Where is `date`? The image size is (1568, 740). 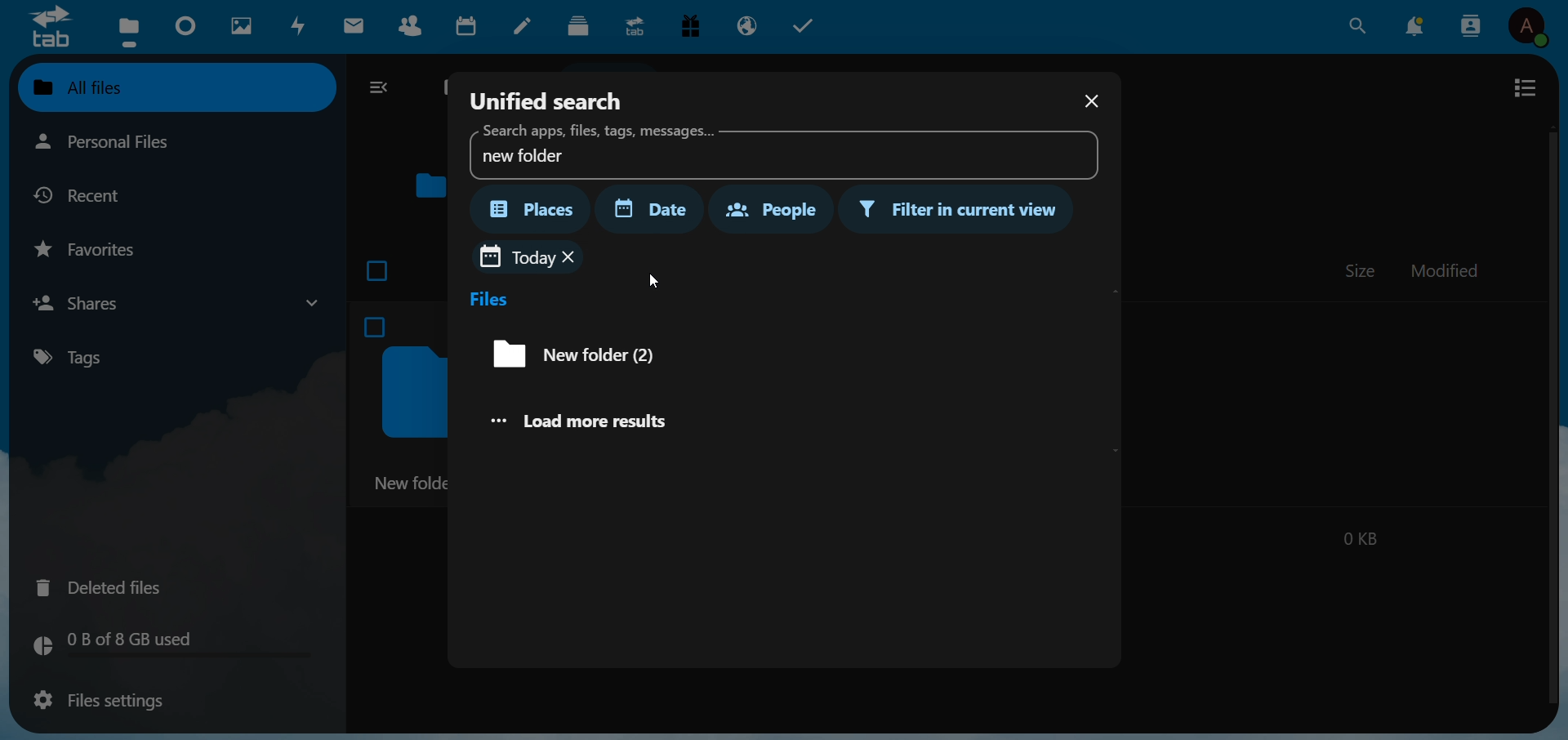
date is located at coordinates (658, 209).